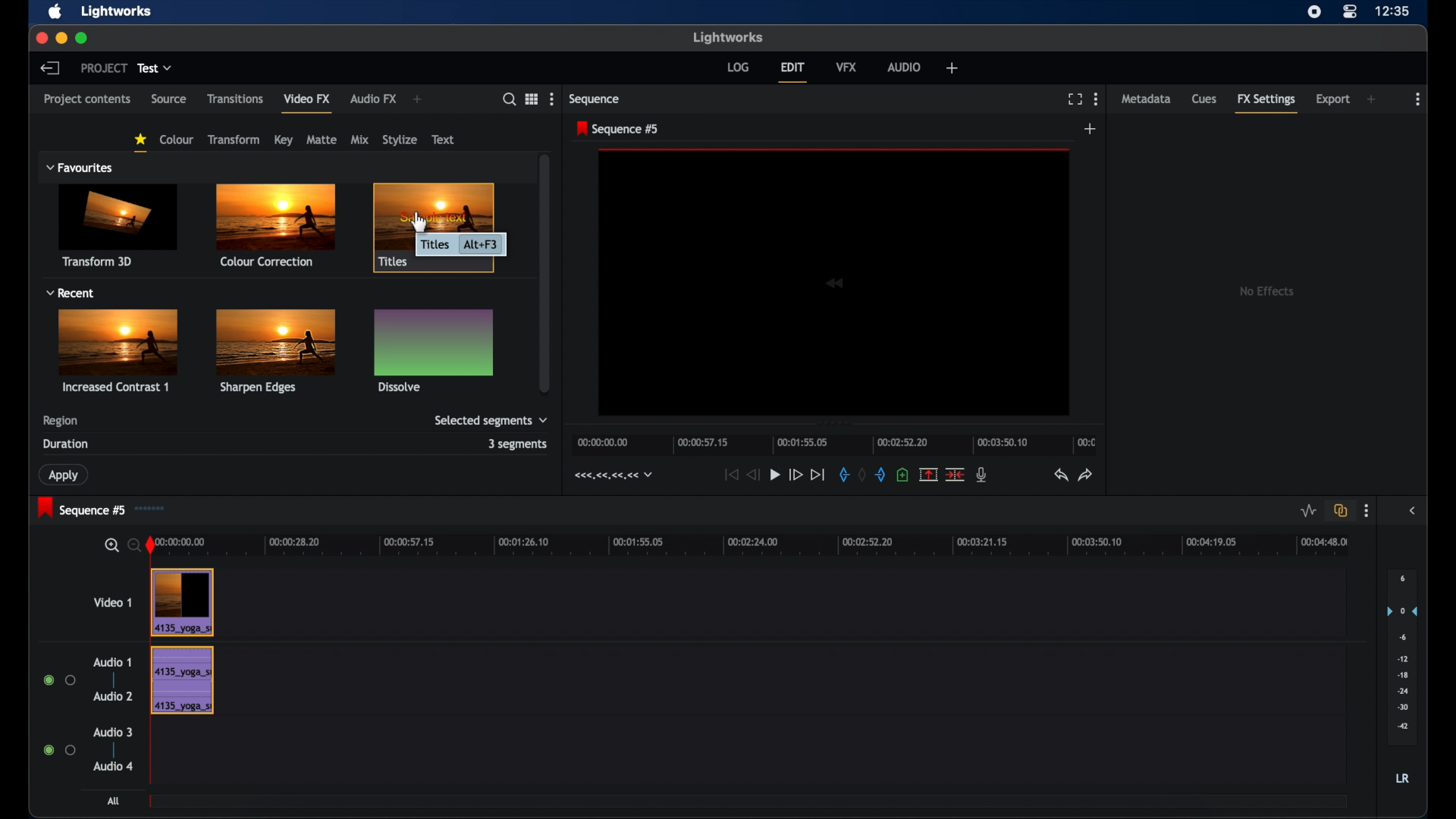 Image resolution: width=1456 pixels, height=819 pixels. I want to click on lightworks, so click(727, 37).